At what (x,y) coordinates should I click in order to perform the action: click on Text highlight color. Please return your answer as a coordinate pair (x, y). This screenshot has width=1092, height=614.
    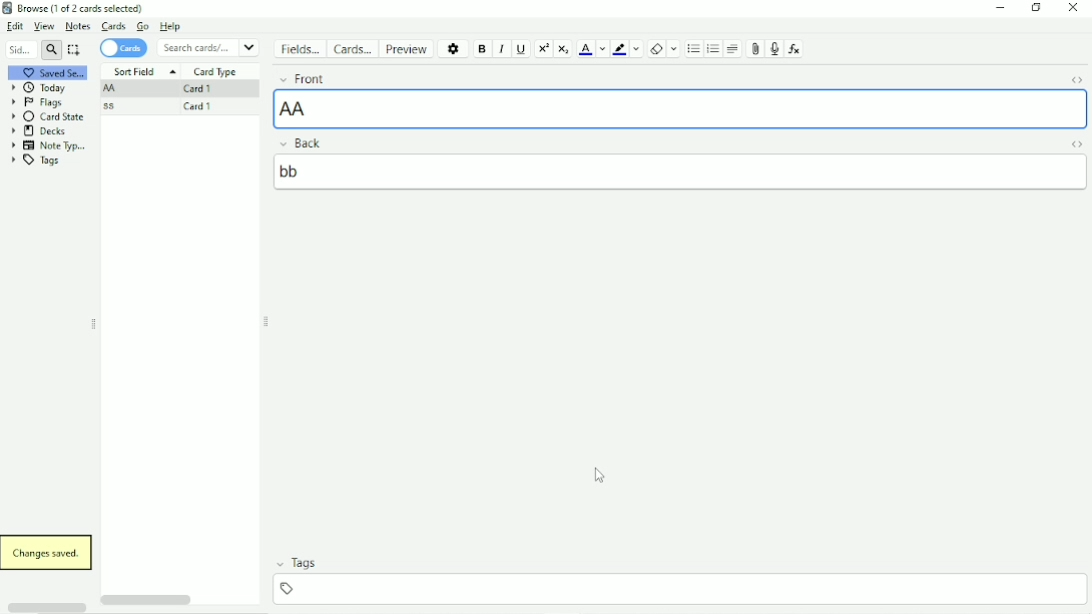
    Looking at the image, I should click on (619, 49).